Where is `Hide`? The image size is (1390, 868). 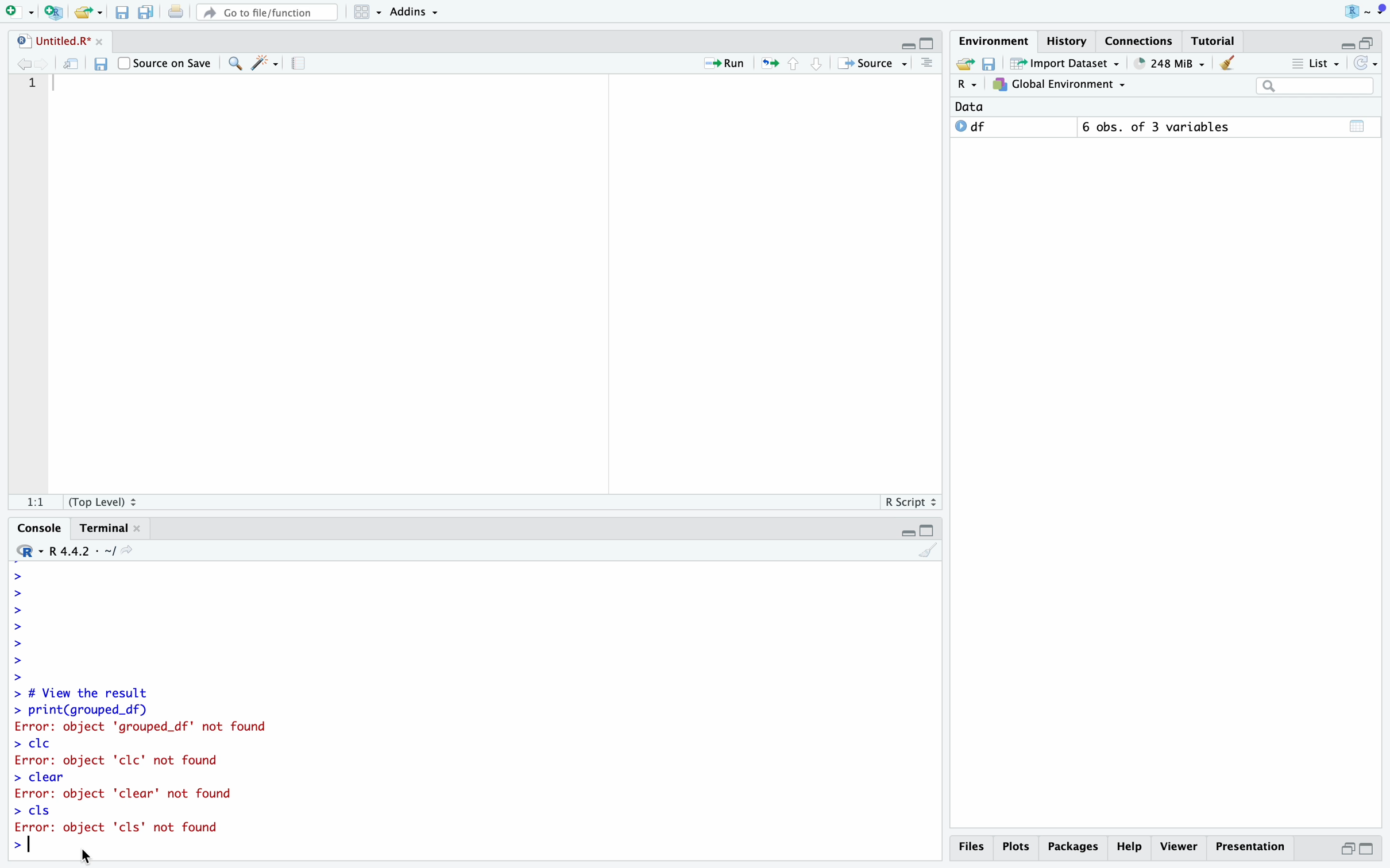 Hide is located at coordinates (906, 44).